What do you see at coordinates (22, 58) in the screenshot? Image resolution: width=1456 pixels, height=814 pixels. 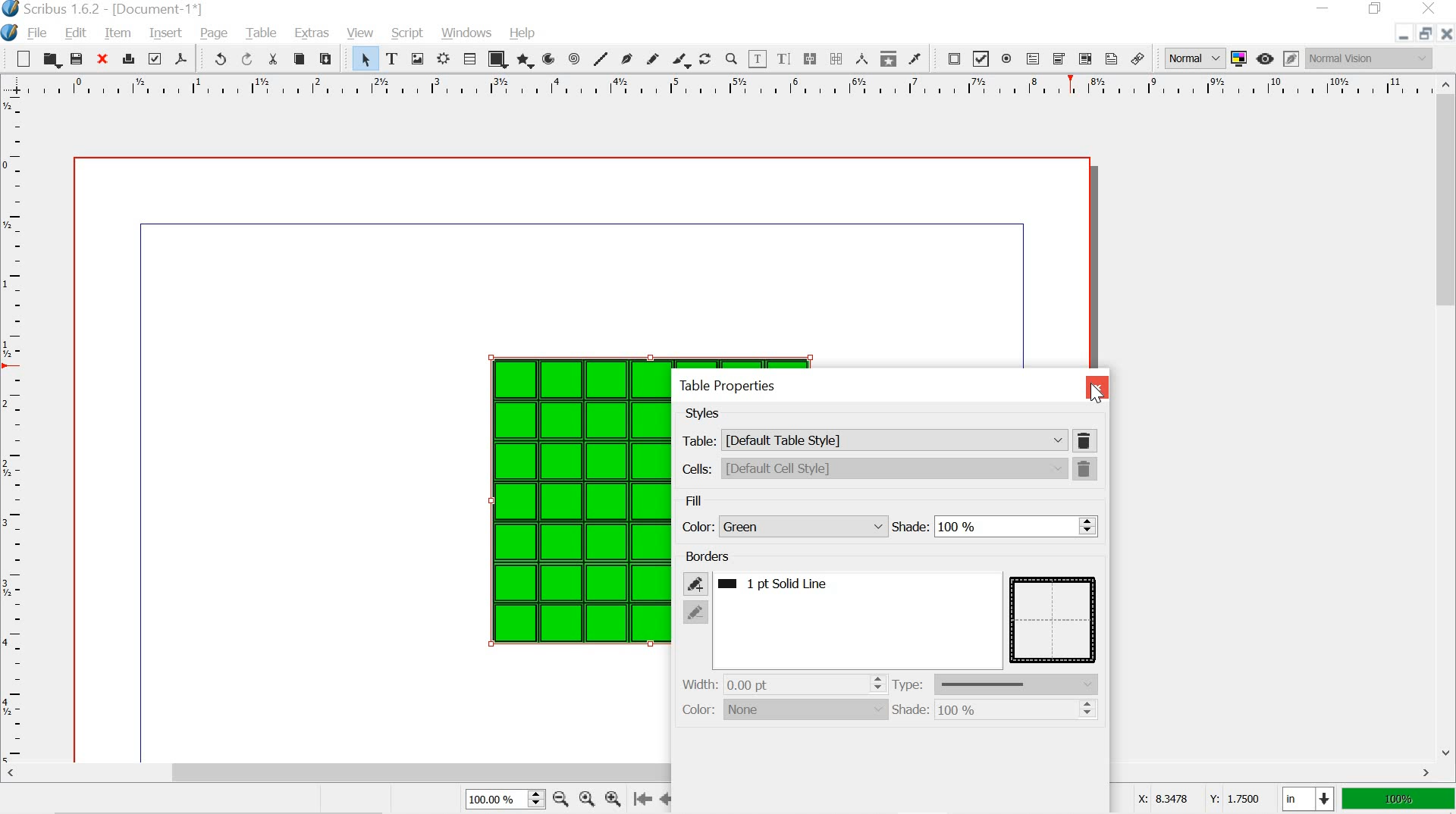 I see `new` at bounding box center [22, 58].